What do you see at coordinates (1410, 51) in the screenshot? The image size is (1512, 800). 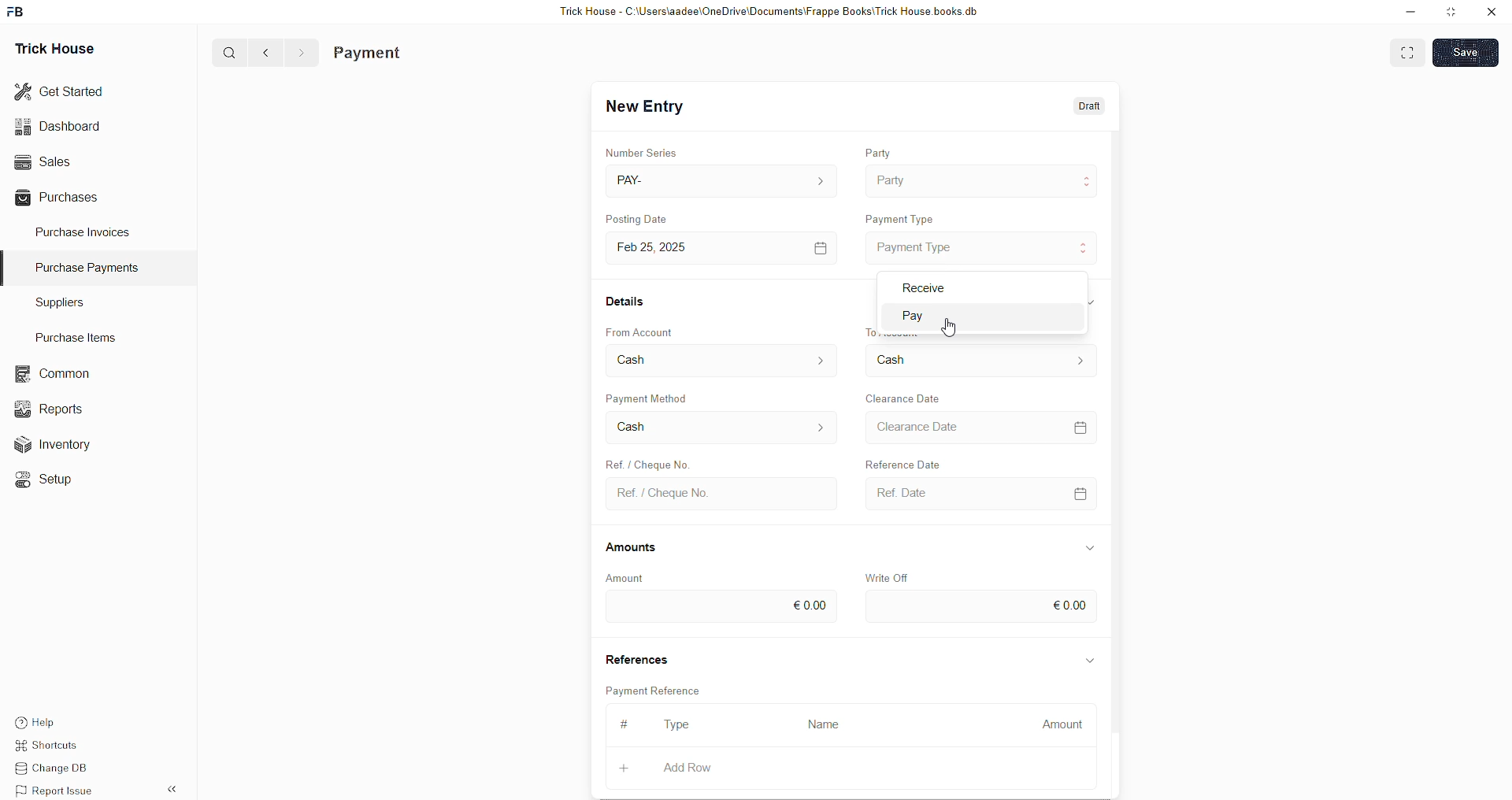 I see `EXPAND` at bounding box center [1410, 51].